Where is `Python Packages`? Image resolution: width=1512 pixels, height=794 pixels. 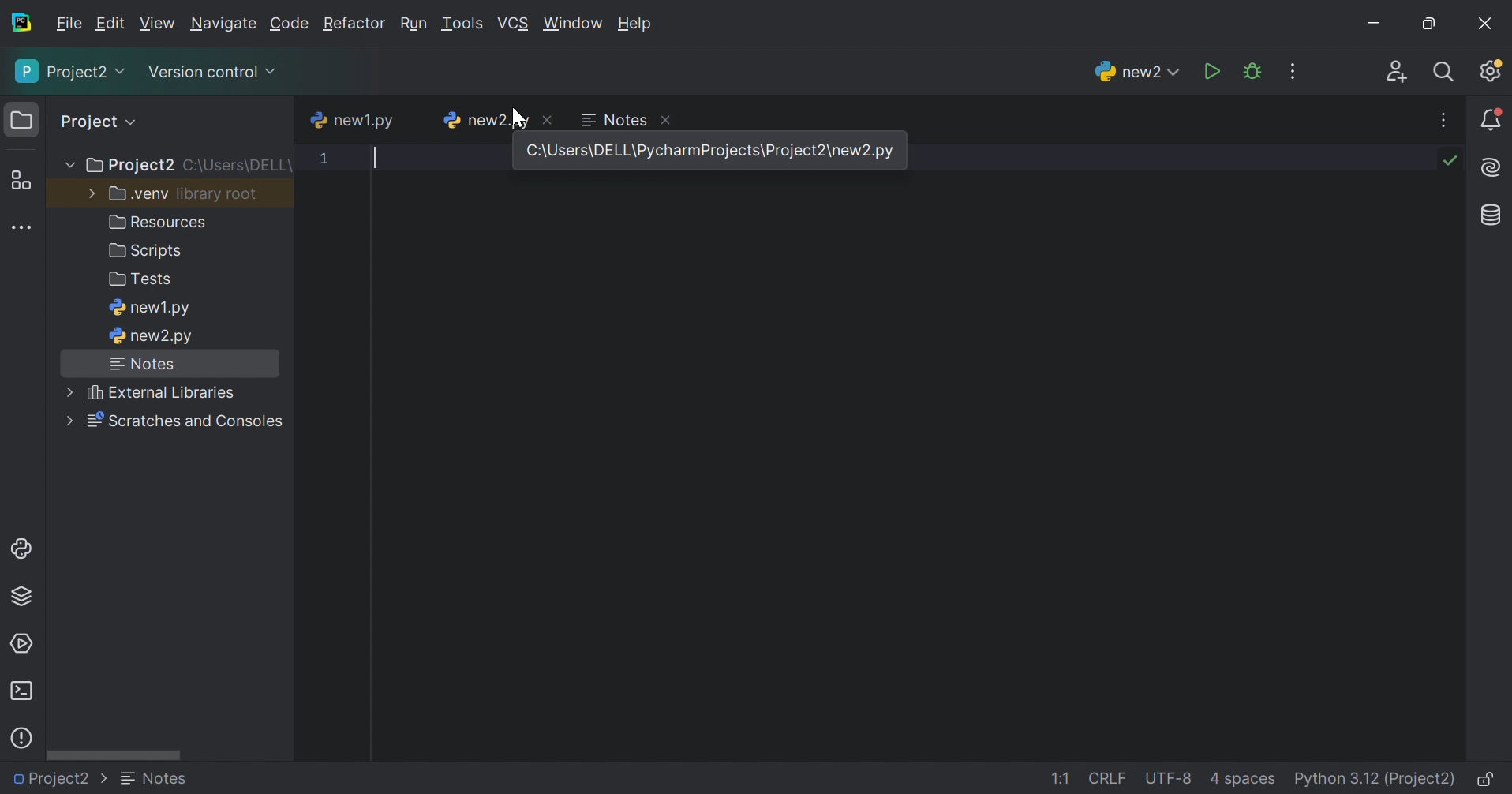 Python Packages is located at coordinates (28, 599).